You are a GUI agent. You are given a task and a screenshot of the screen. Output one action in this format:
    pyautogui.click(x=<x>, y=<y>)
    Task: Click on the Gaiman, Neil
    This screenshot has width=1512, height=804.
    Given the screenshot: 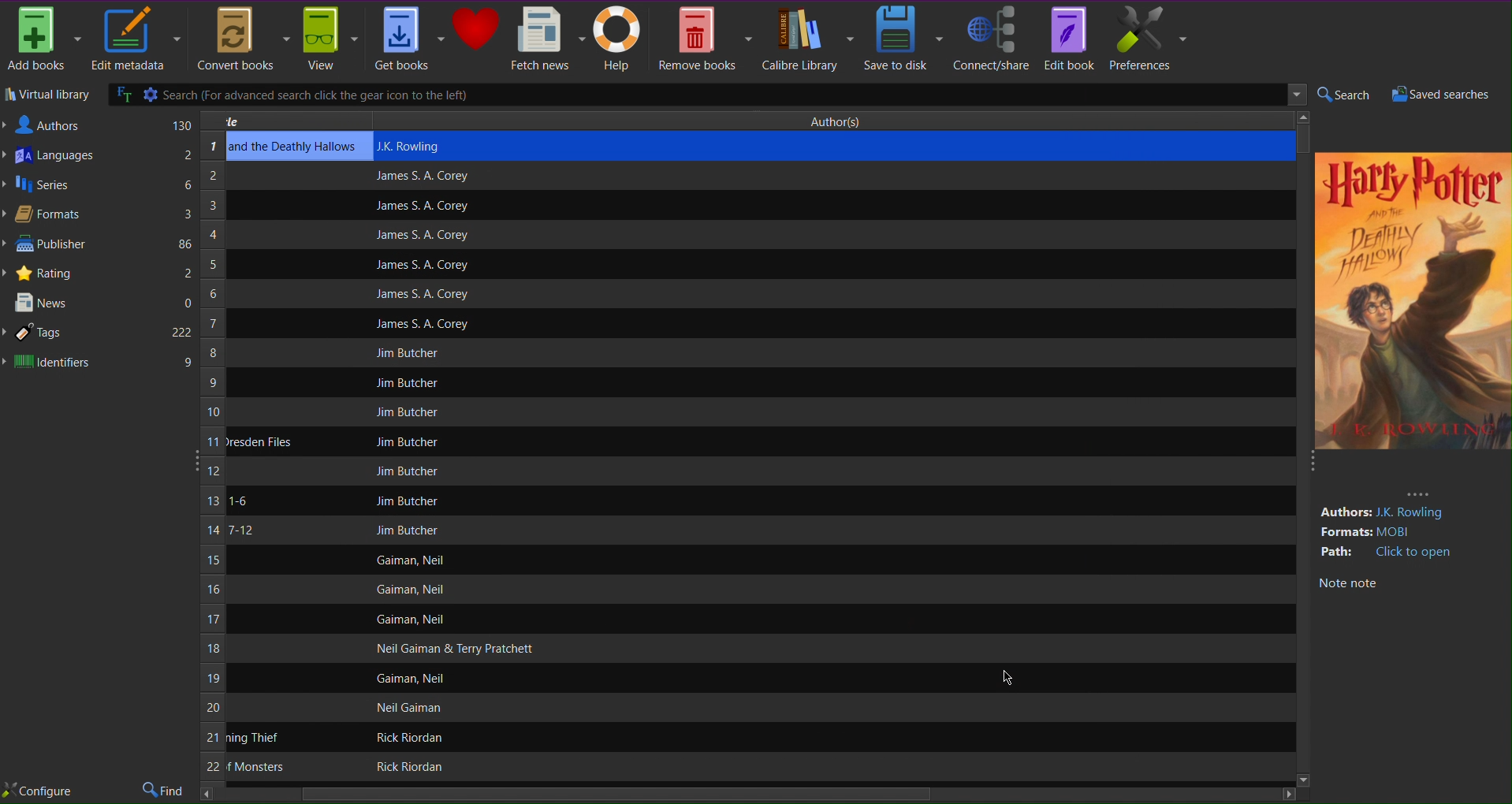 What is the action you would take?
    pyautogui.click(x=409, y=560)
    